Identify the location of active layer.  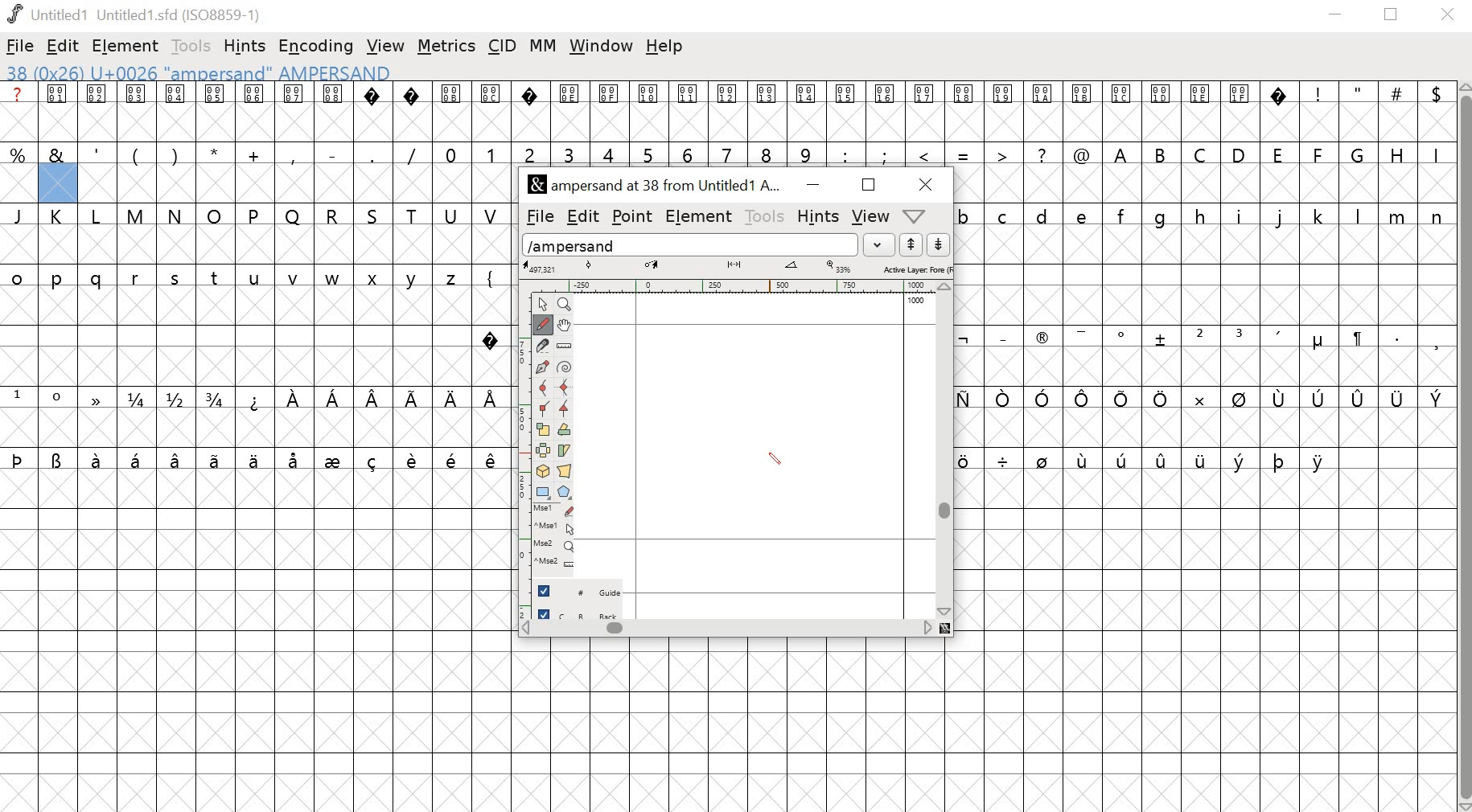
(916, 269).